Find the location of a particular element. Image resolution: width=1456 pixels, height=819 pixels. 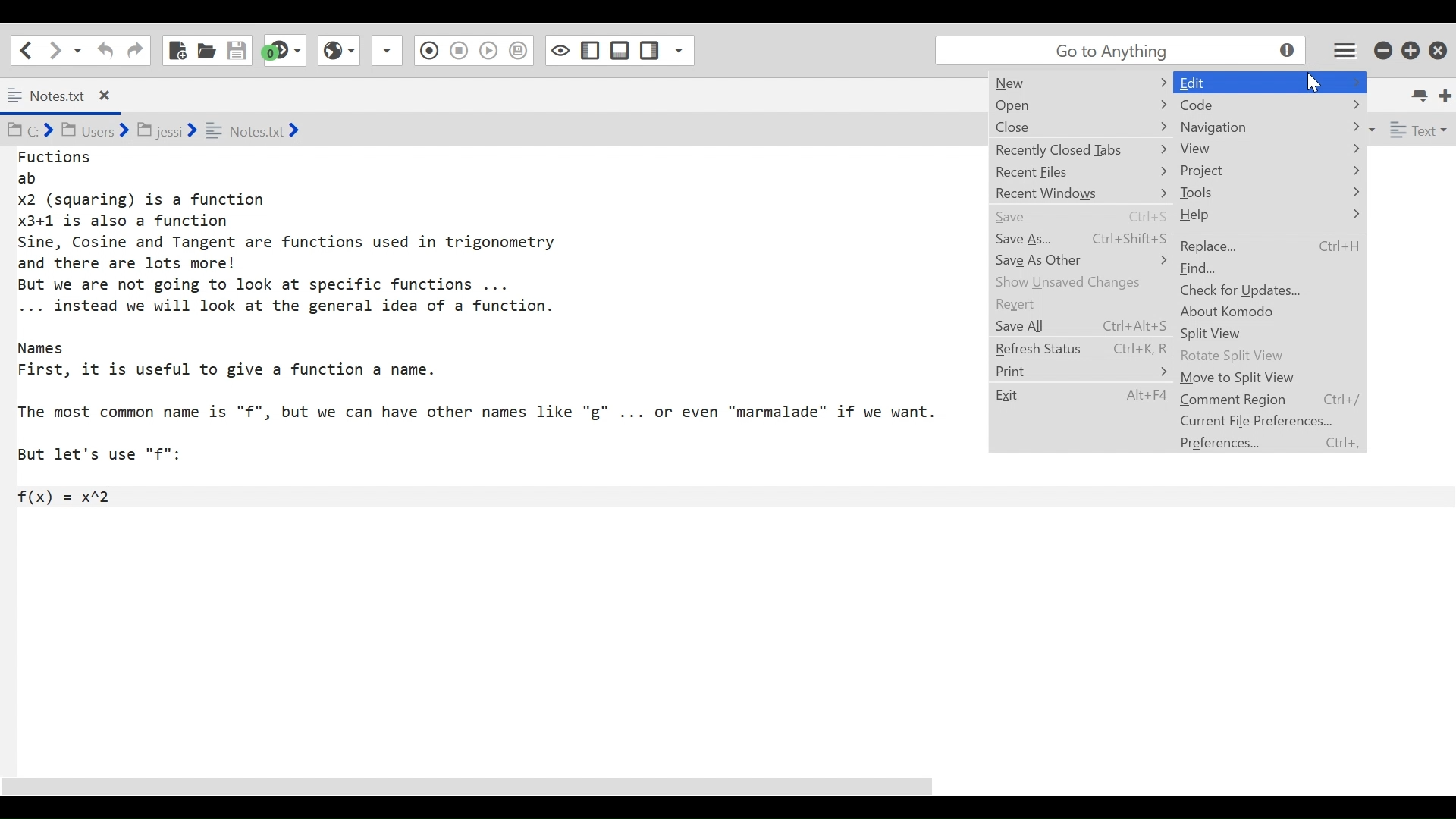

Fuctions

ab

x2 (squaring) is a function

x3+1 is also a function

Sine, Cosine and Tangent are functions used in trigonometry
and there are lots more!

But we are not going to look at specific functions ...

... instead we will look at the general idea of a function.
Names

First, it is useful to give a function a name.

The most common name is "f", but we can have other names like "g" ... or even "marmalade" if we want.
But let's use "f":

f(x) = x*2 is located at coordinates (475, 328).